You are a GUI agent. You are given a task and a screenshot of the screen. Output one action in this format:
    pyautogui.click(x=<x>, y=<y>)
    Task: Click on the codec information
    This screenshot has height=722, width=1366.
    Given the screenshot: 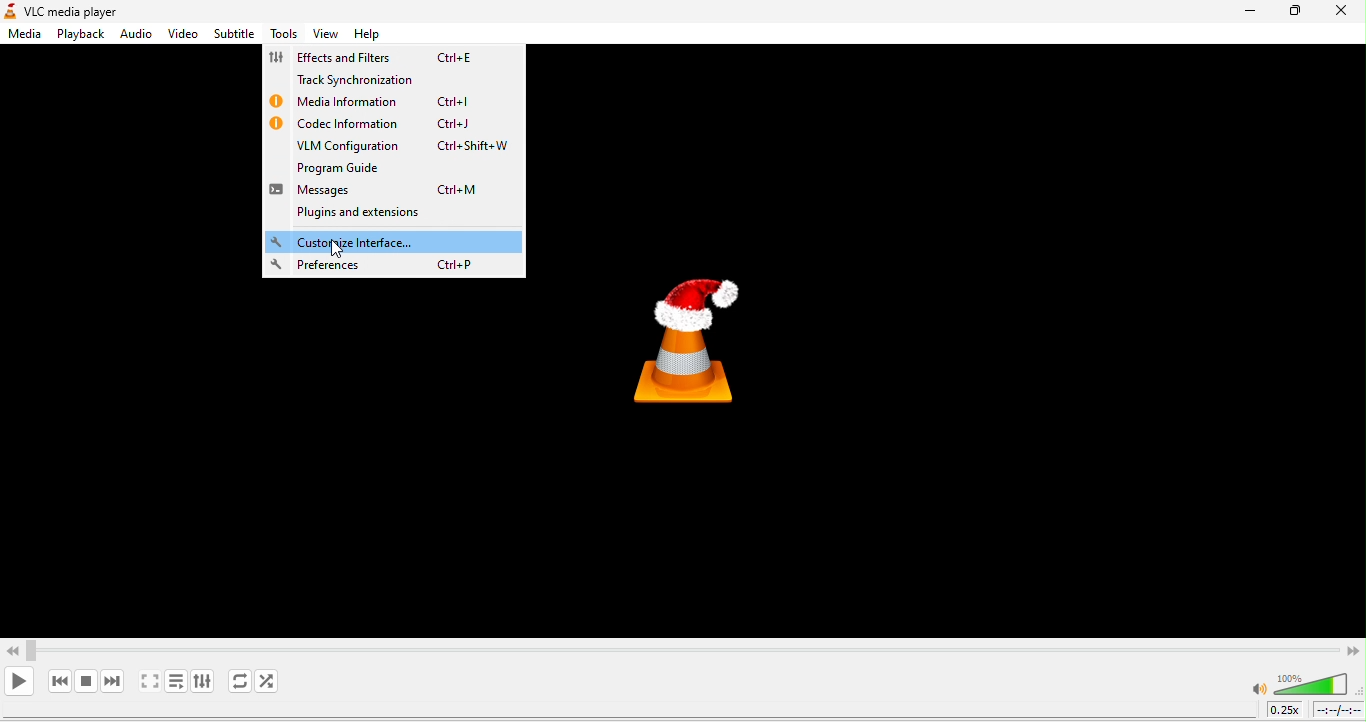 What is the action you would take?
    pyautogui.click(x=380, y=124)
    